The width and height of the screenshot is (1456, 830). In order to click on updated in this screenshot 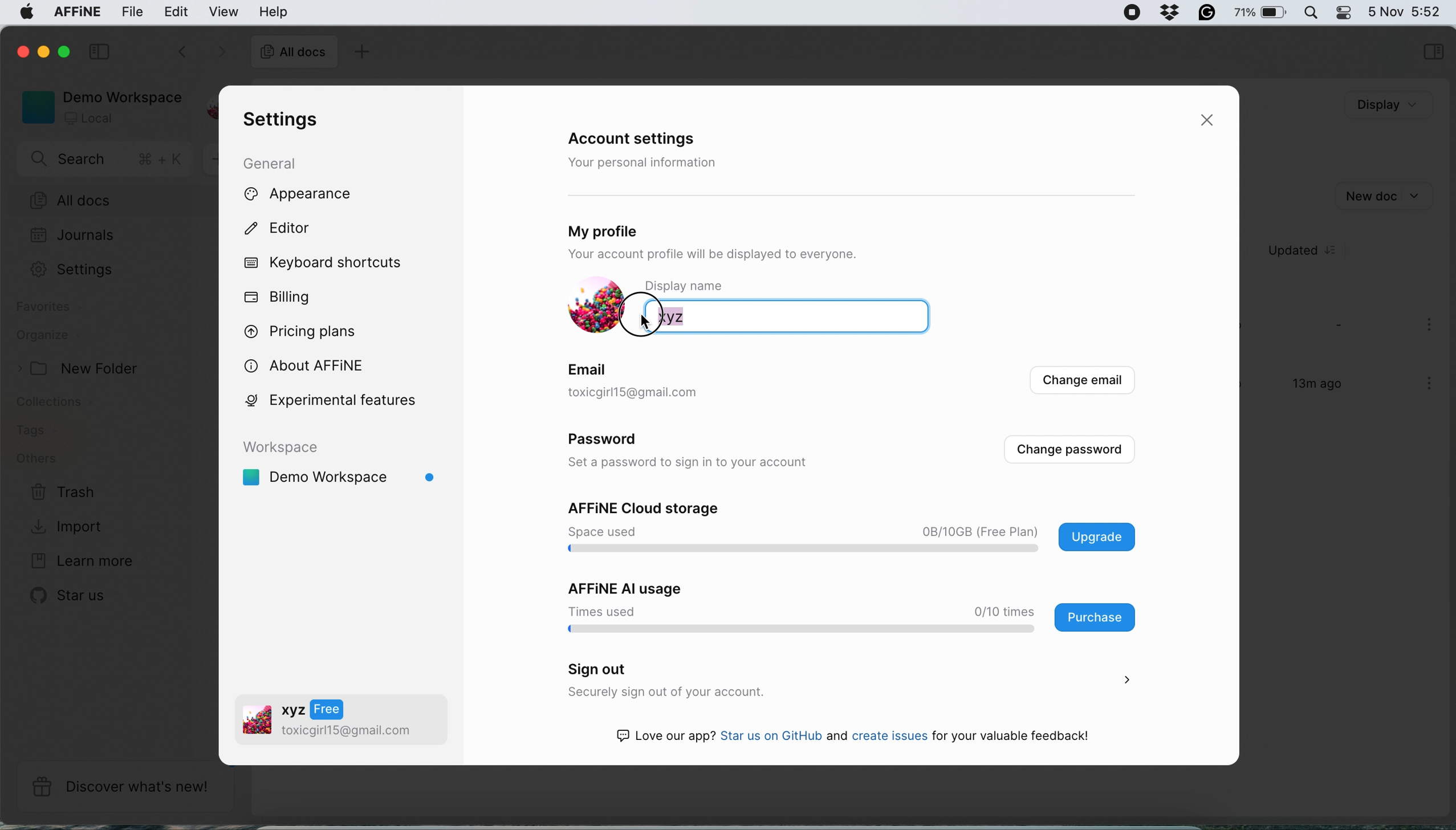, I will do `click(1310, 251)`.